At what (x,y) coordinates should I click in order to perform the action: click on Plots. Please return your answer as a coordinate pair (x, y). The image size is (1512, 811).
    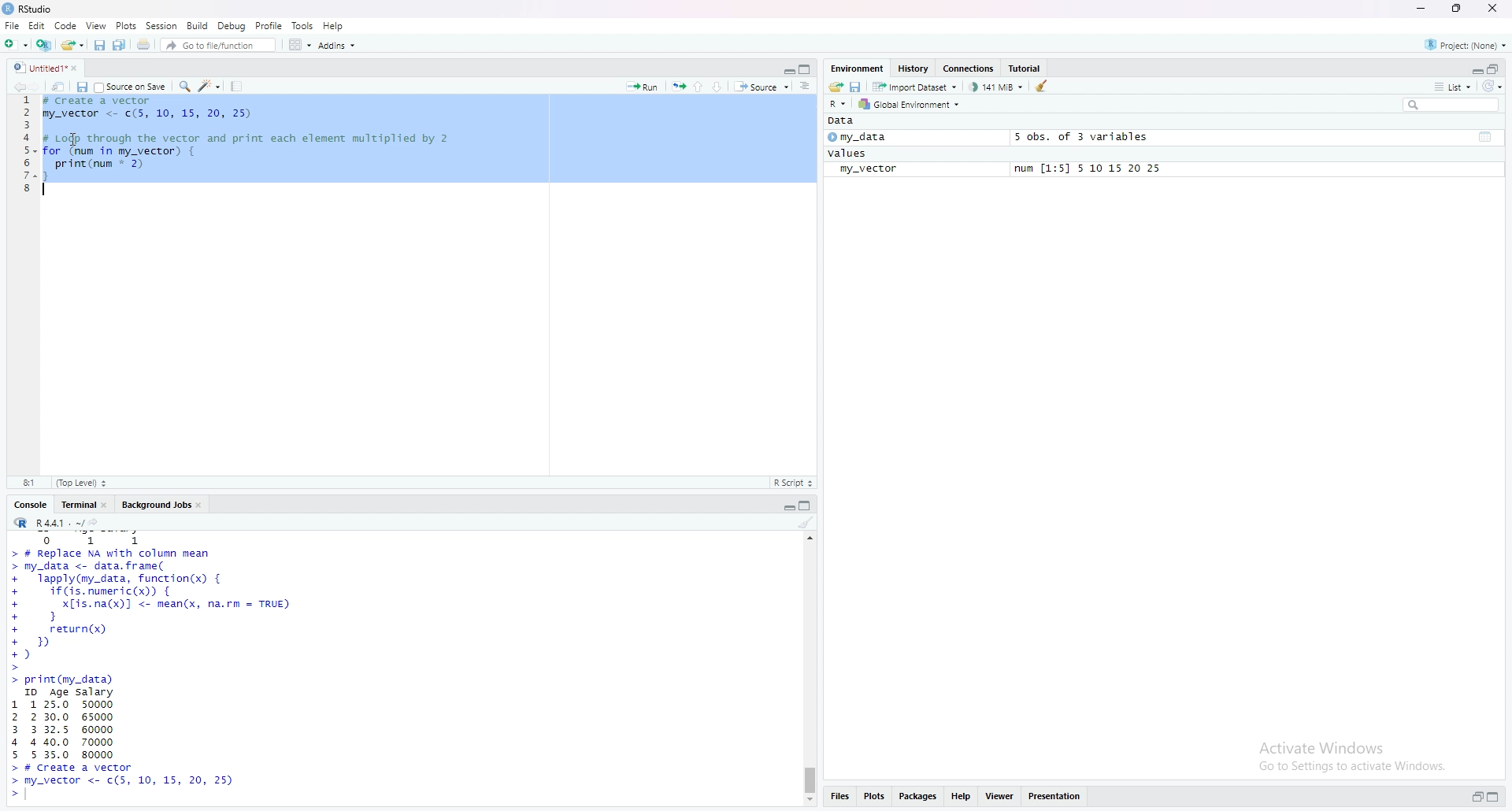
    Looking at the image, I should click on (127, 25).